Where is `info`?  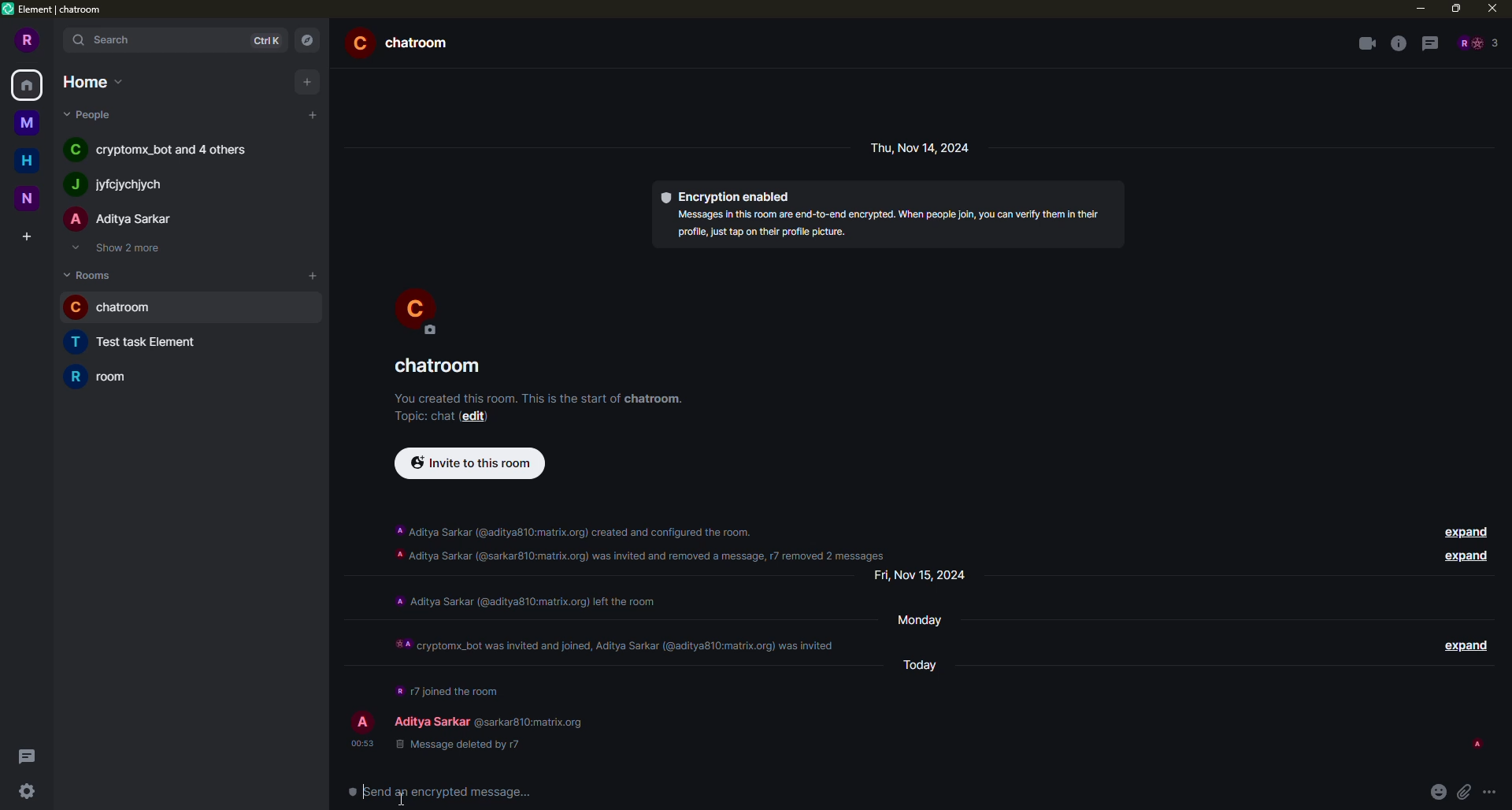
info is located at coordinates (1398, 43).